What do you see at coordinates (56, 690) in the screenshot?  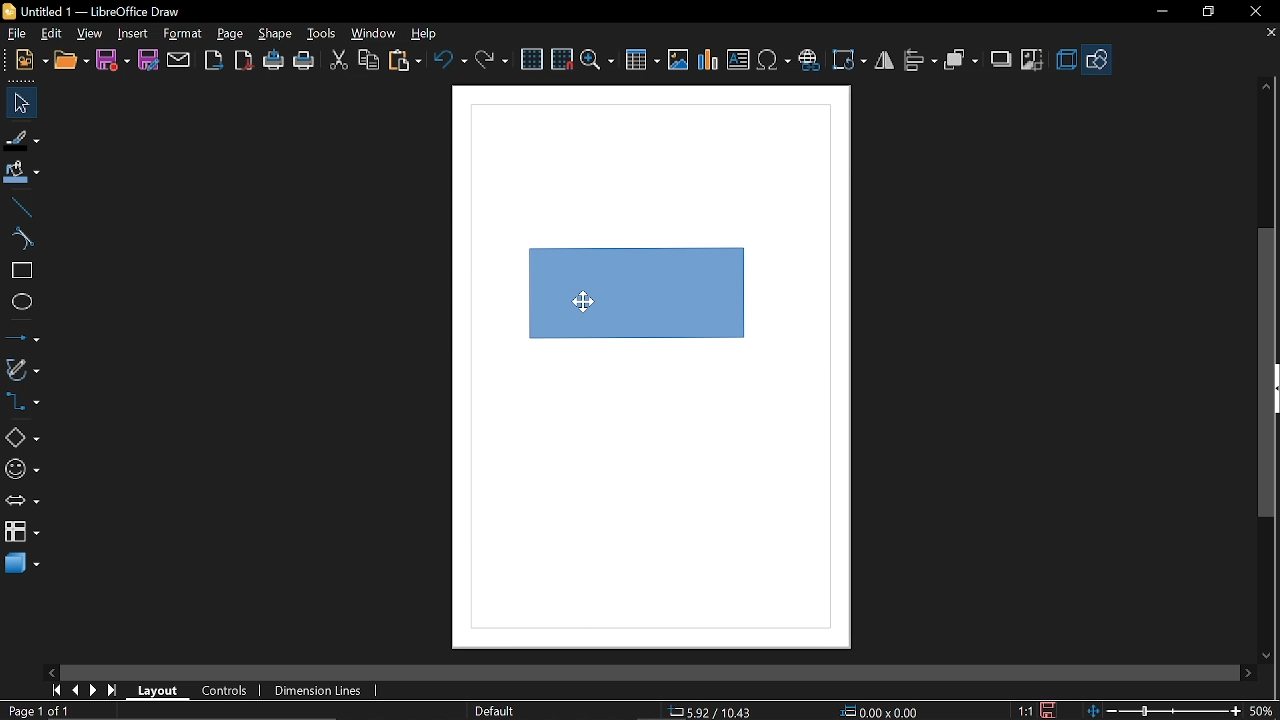 I see `Go to first page ` at bounding box center [56, 690].